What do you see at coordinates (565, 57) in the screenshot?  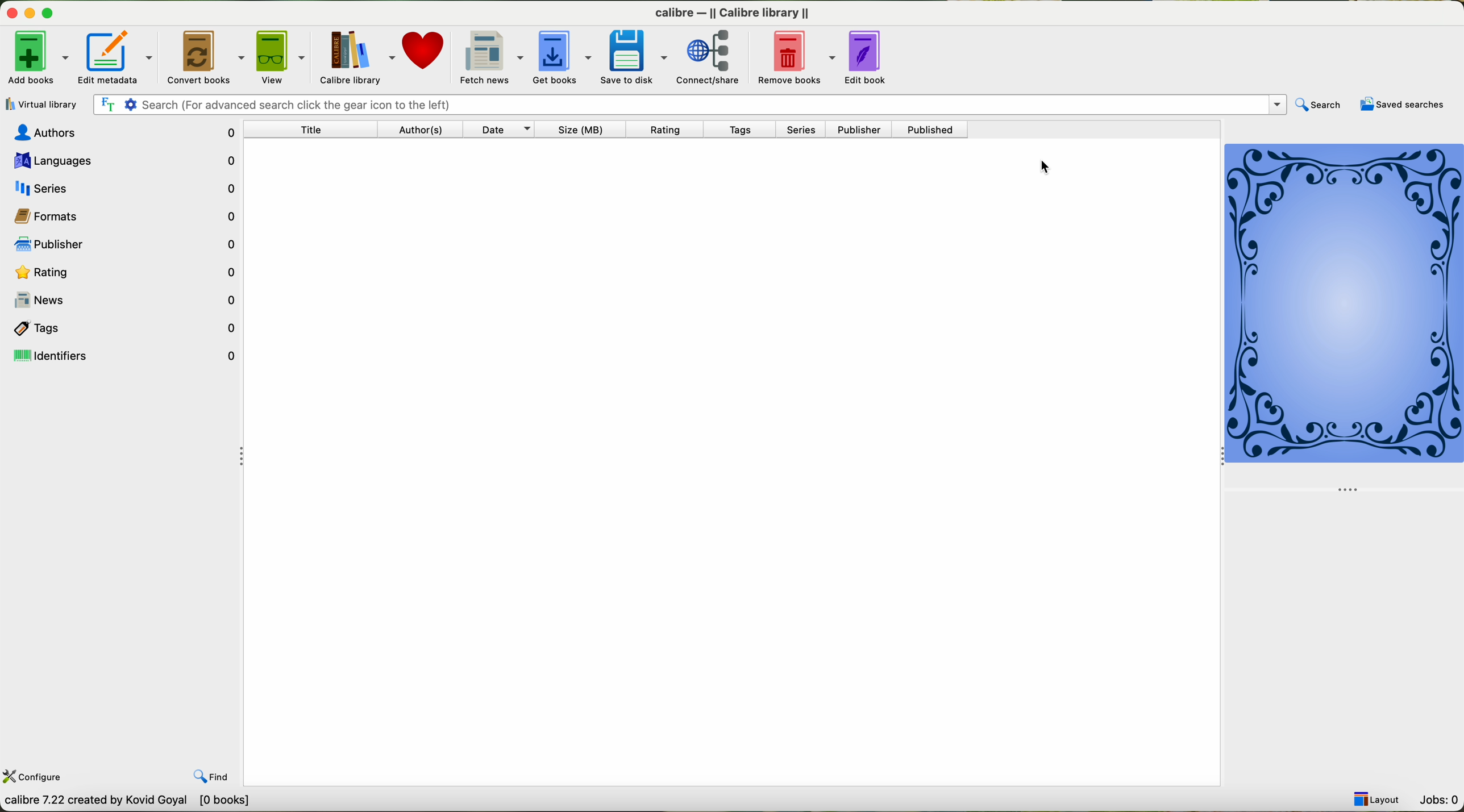 I see `get books` at bounding box center [565, 57].